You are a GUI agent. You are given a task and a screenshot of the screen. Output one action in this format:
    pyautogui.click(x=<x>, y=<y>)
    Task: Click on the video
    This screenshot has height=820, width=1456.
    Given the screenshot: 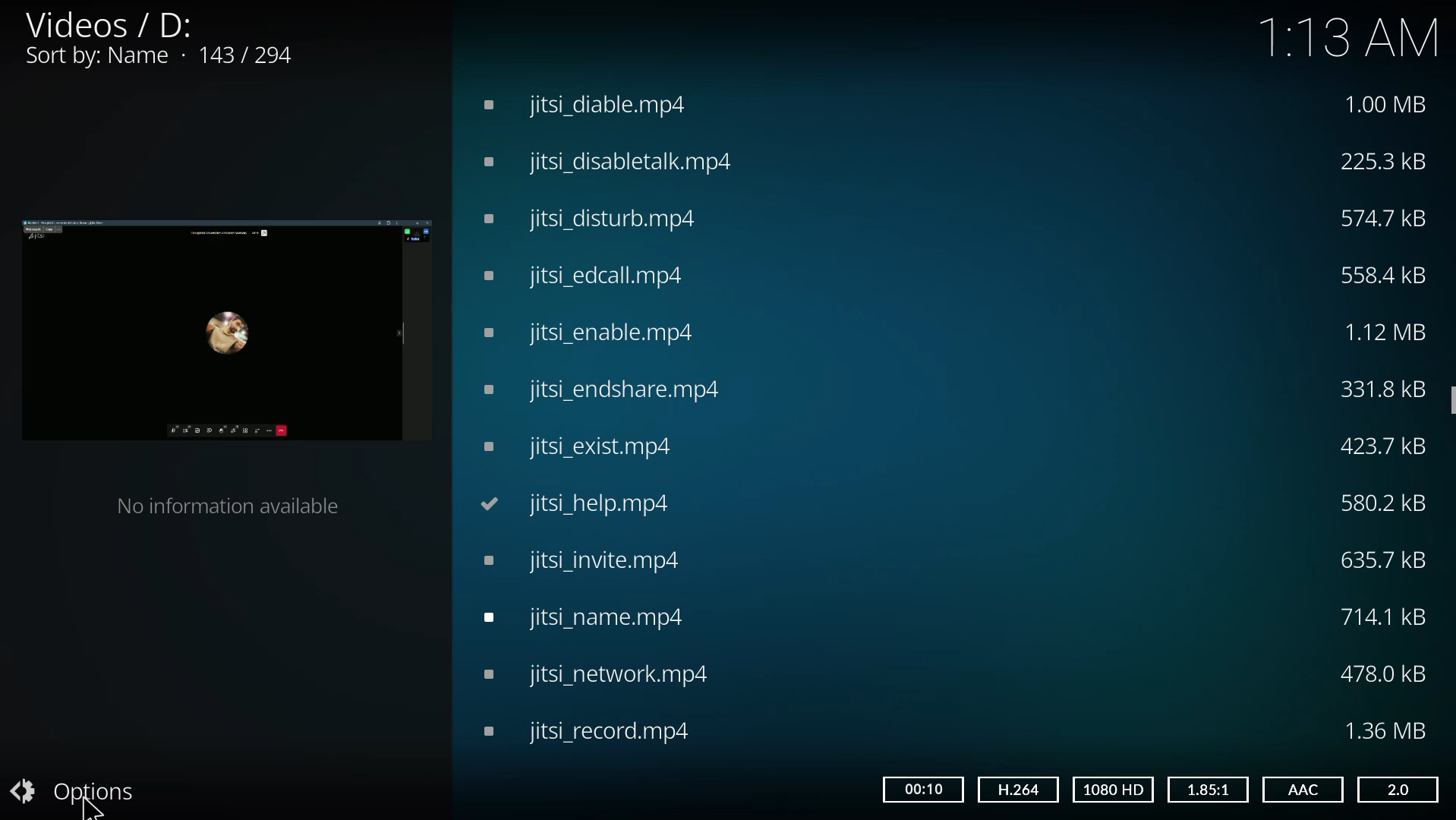 What is the action you would take?
    pyautogui.click(x=588, y=104)
    